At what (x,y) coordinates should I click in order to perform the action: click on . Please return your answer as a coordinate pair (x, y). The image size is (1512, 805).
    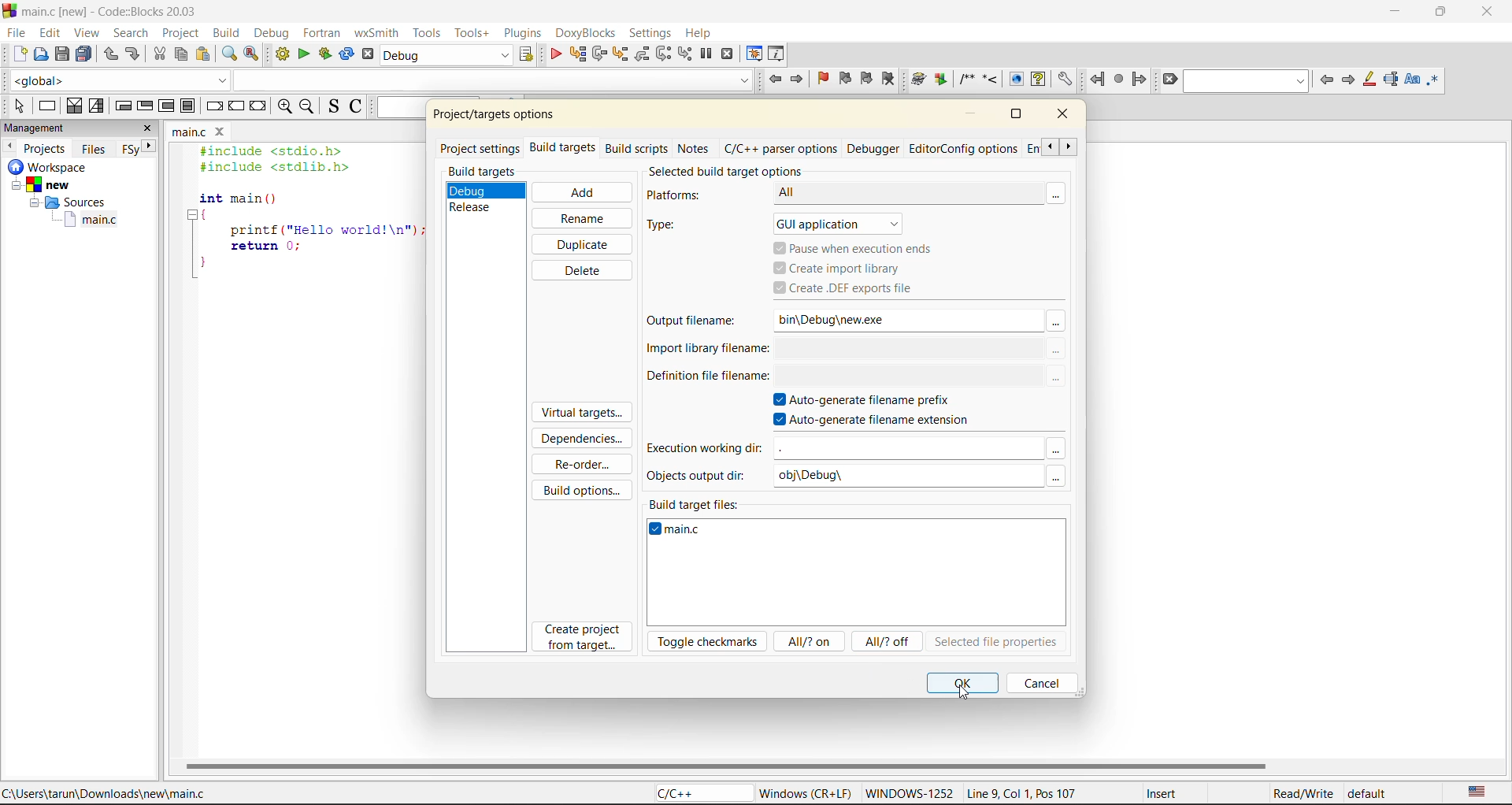
    Looking at the image, I should click on (1055, 321).